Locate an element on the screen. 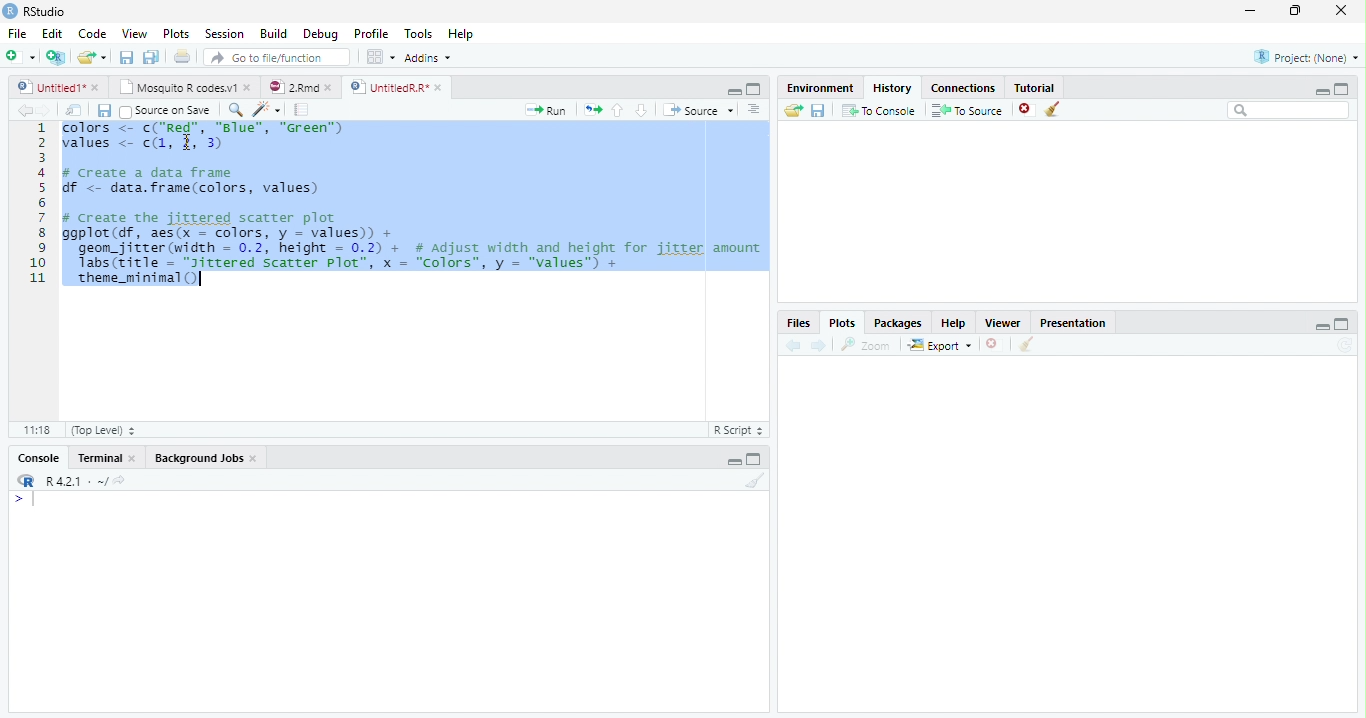 This screenshot has height=718, width=1366. Load history from an existing file is located at coordinates (793, 110).